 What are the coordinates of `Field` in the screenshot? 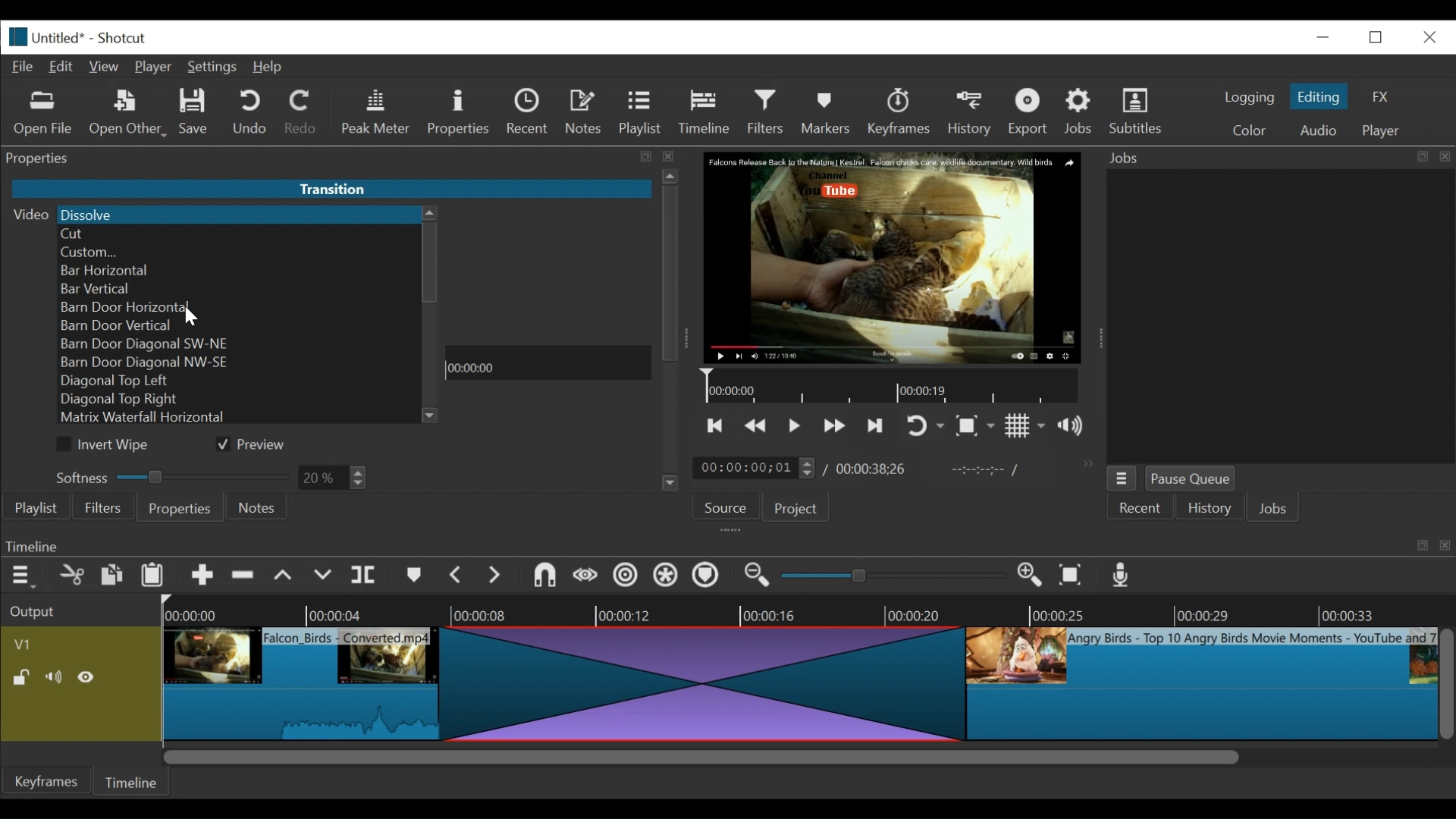 It's located at (333, 479).